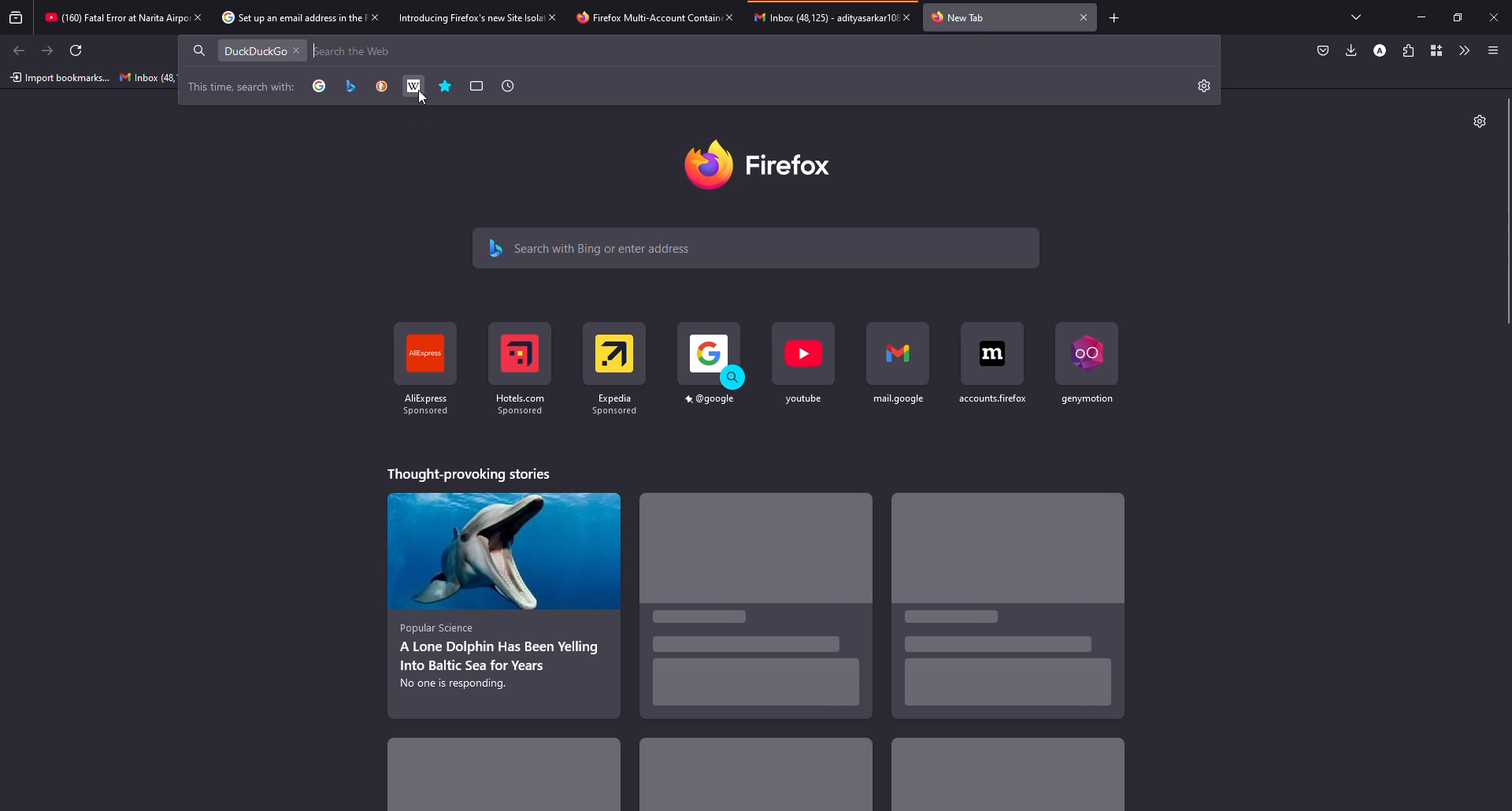 Image resolution: width=1512 pixels, height=811 pixels. What do you see at coordinates (754, 776) in the screenshot?
I see `stories` at bounding box center [754, 776].